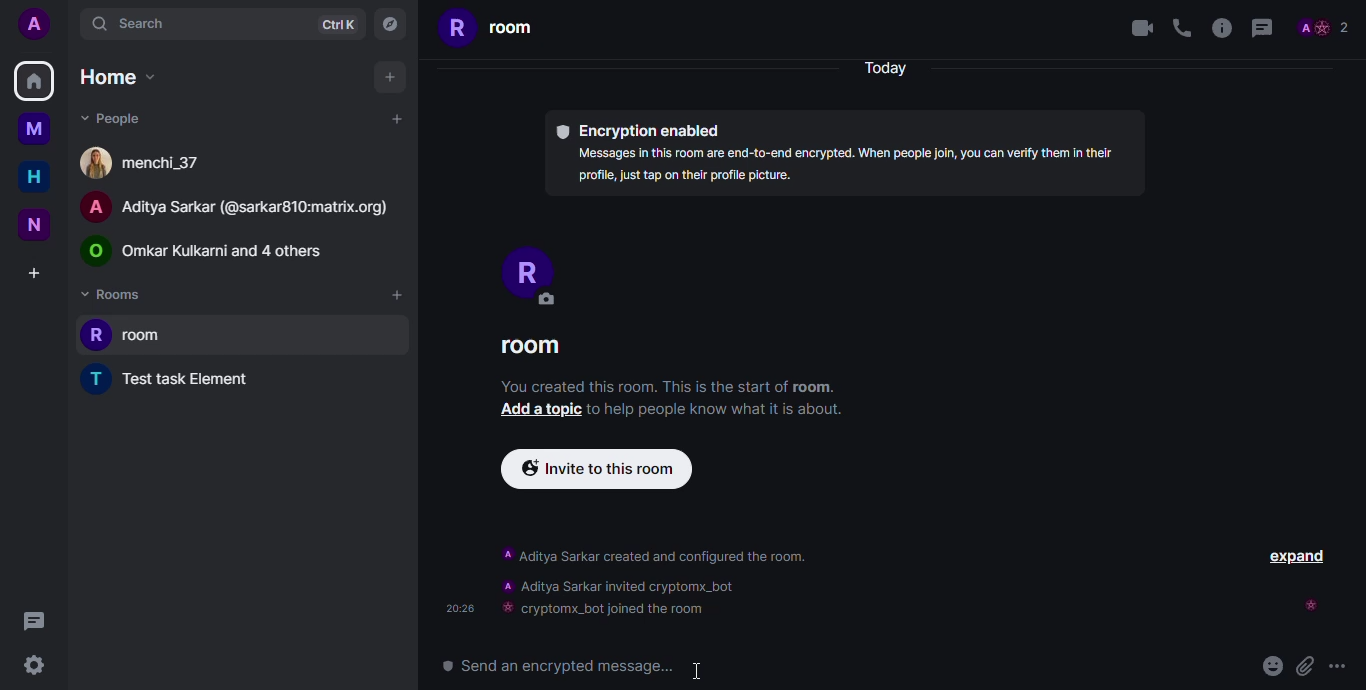 The image size is (1366, 690). I want to click on rooms, so click(115, 294).